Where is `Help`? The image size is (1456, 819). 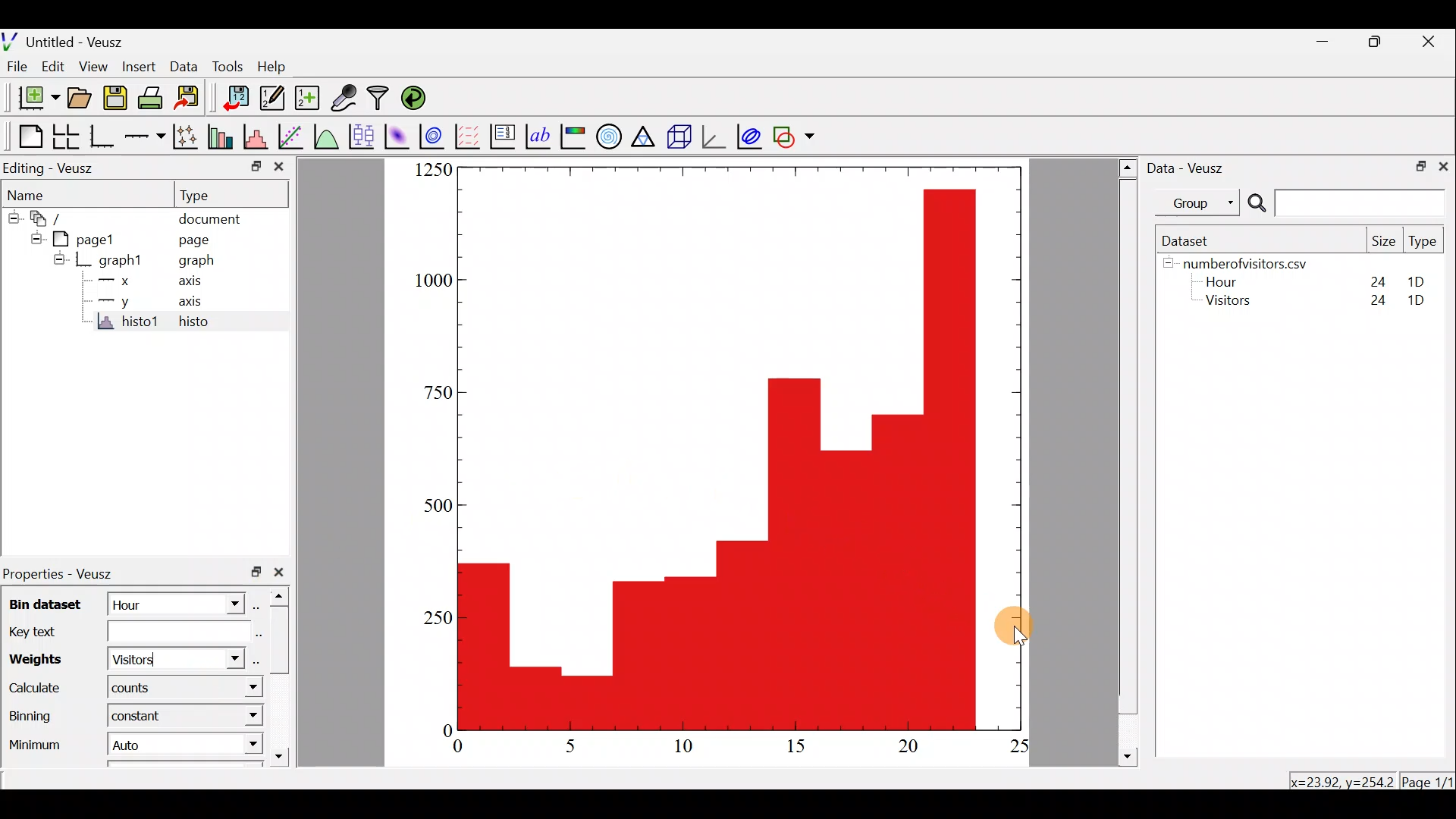
Help is located at coordinates (274, 67).